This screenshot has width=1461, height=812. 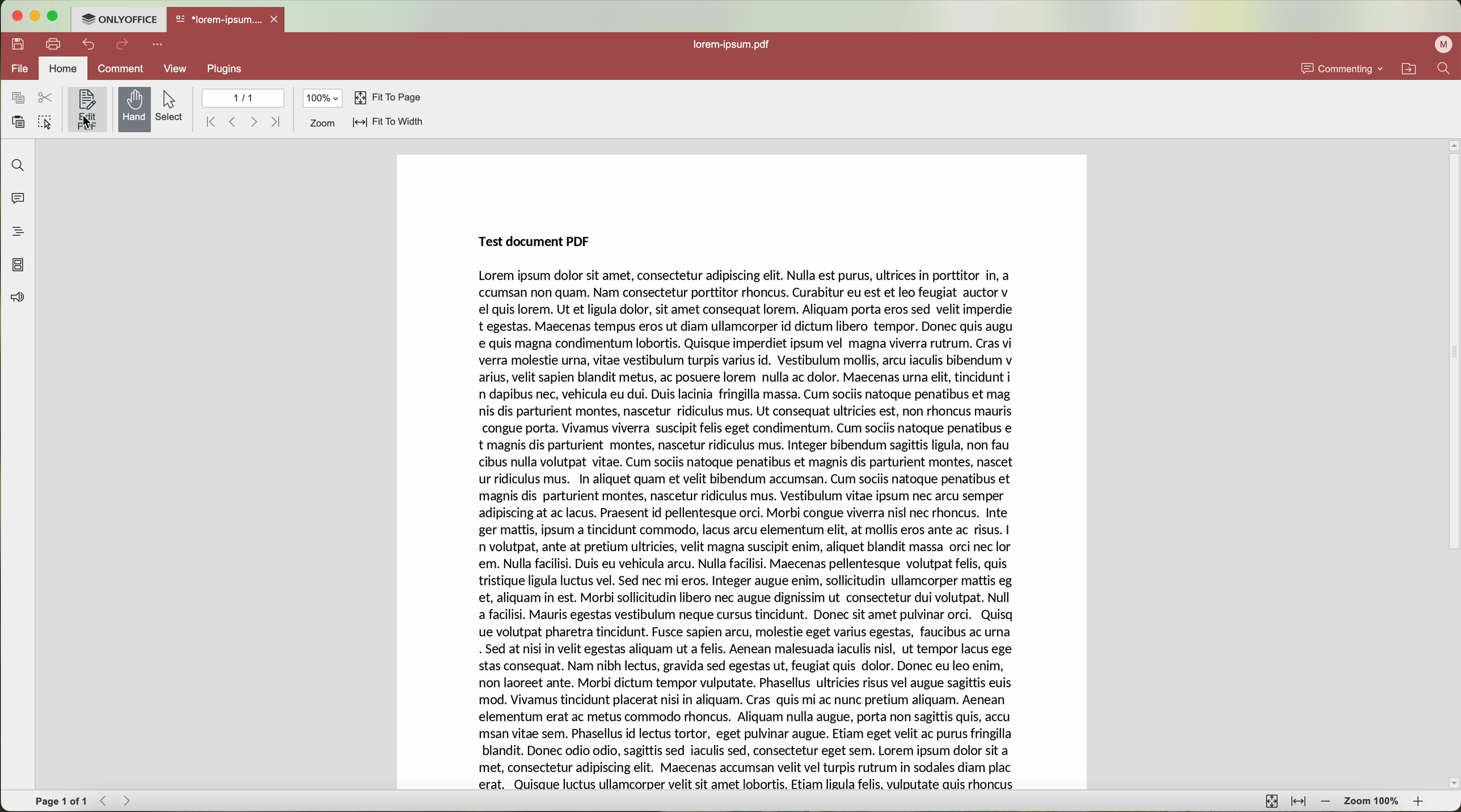 What do you see at coordinates (134, 109) in the screenshot?
I see `hand` at bounding box center [134, 109].